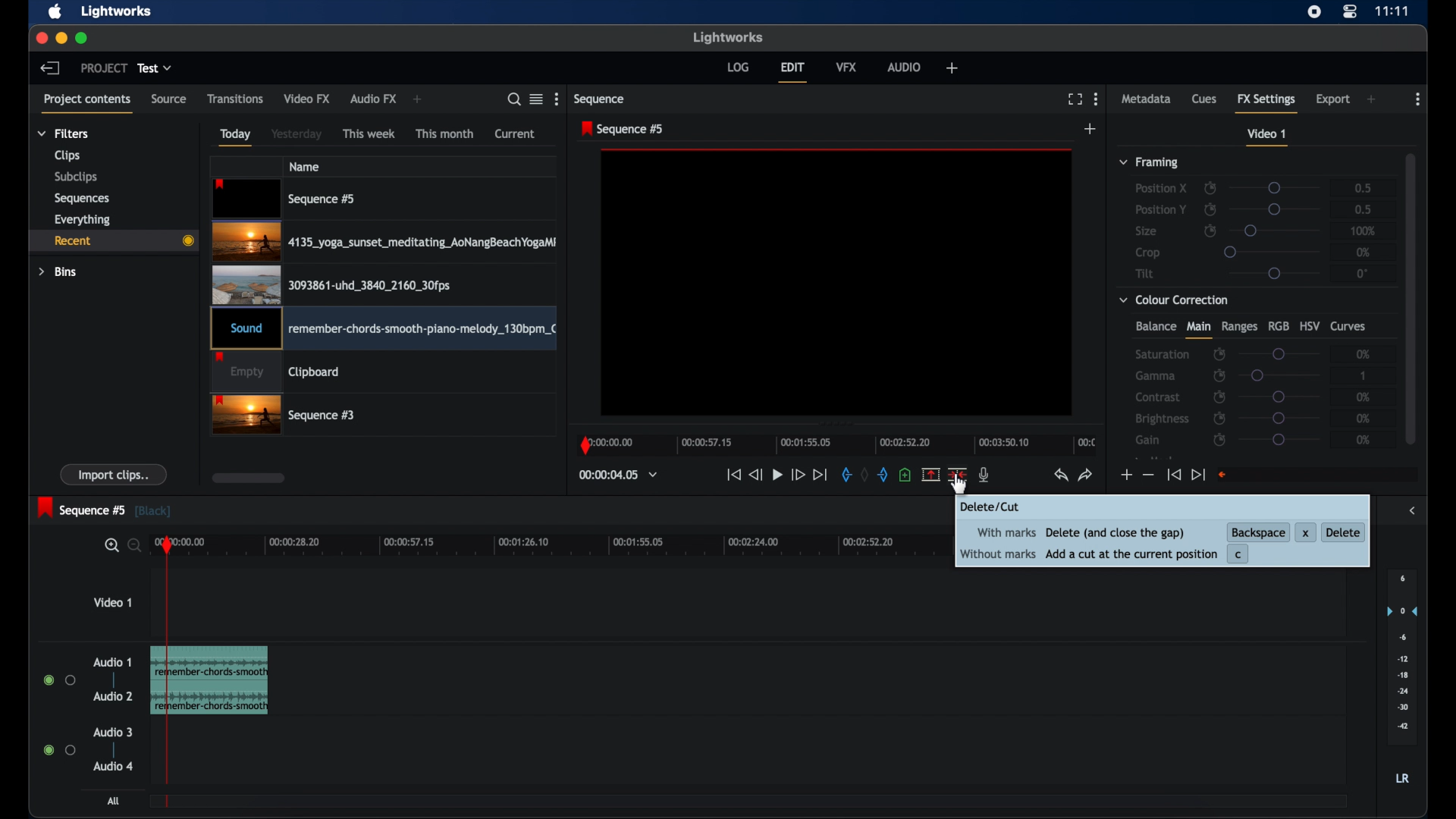  Describe the element at coordinates (793, 73) in the screenshot. I see `edit` at that location.